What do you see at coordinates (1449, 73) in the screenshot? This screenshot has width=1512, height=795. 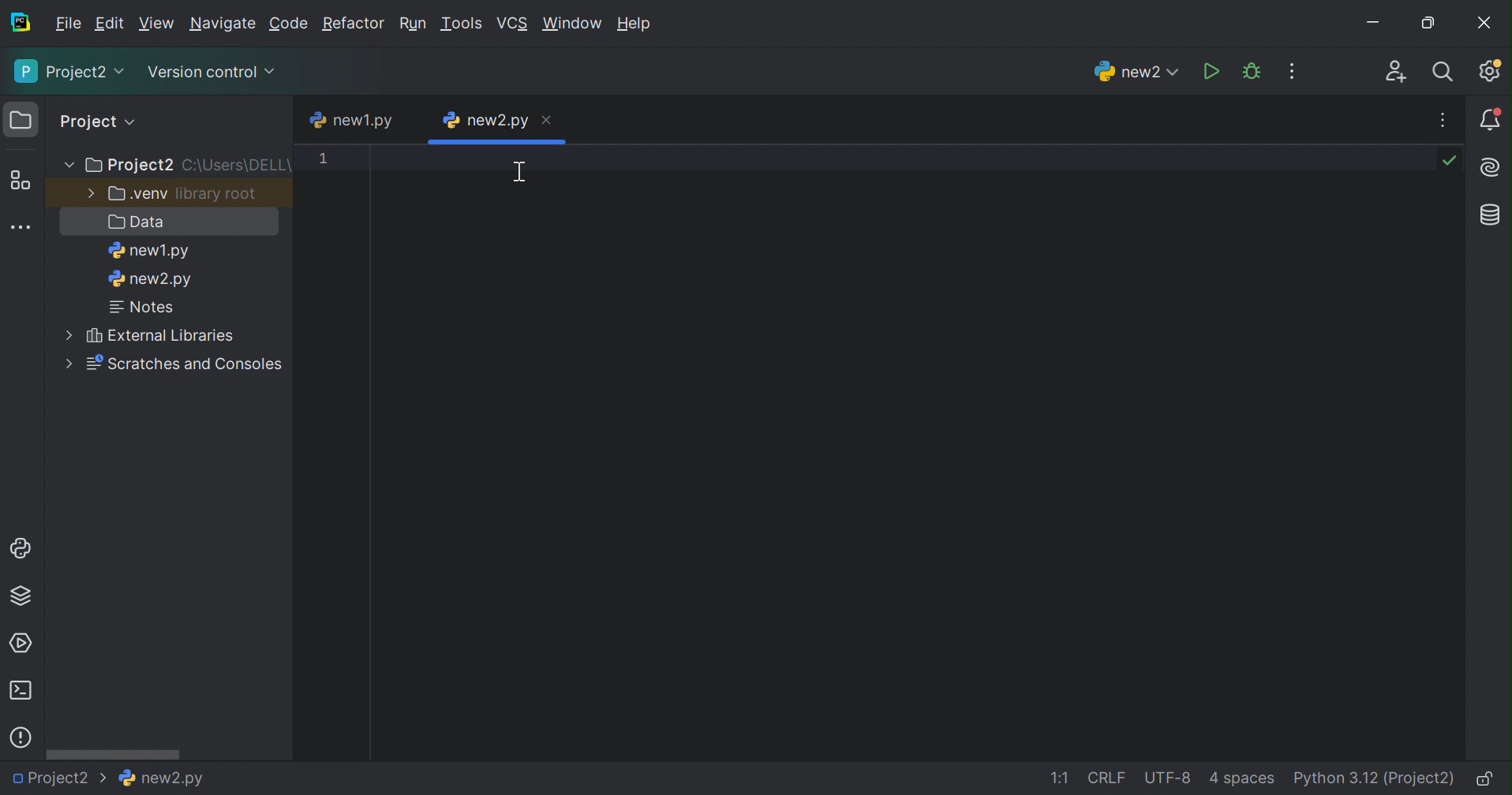 I see `Search everywhere` at bounding box center [1449, 73].